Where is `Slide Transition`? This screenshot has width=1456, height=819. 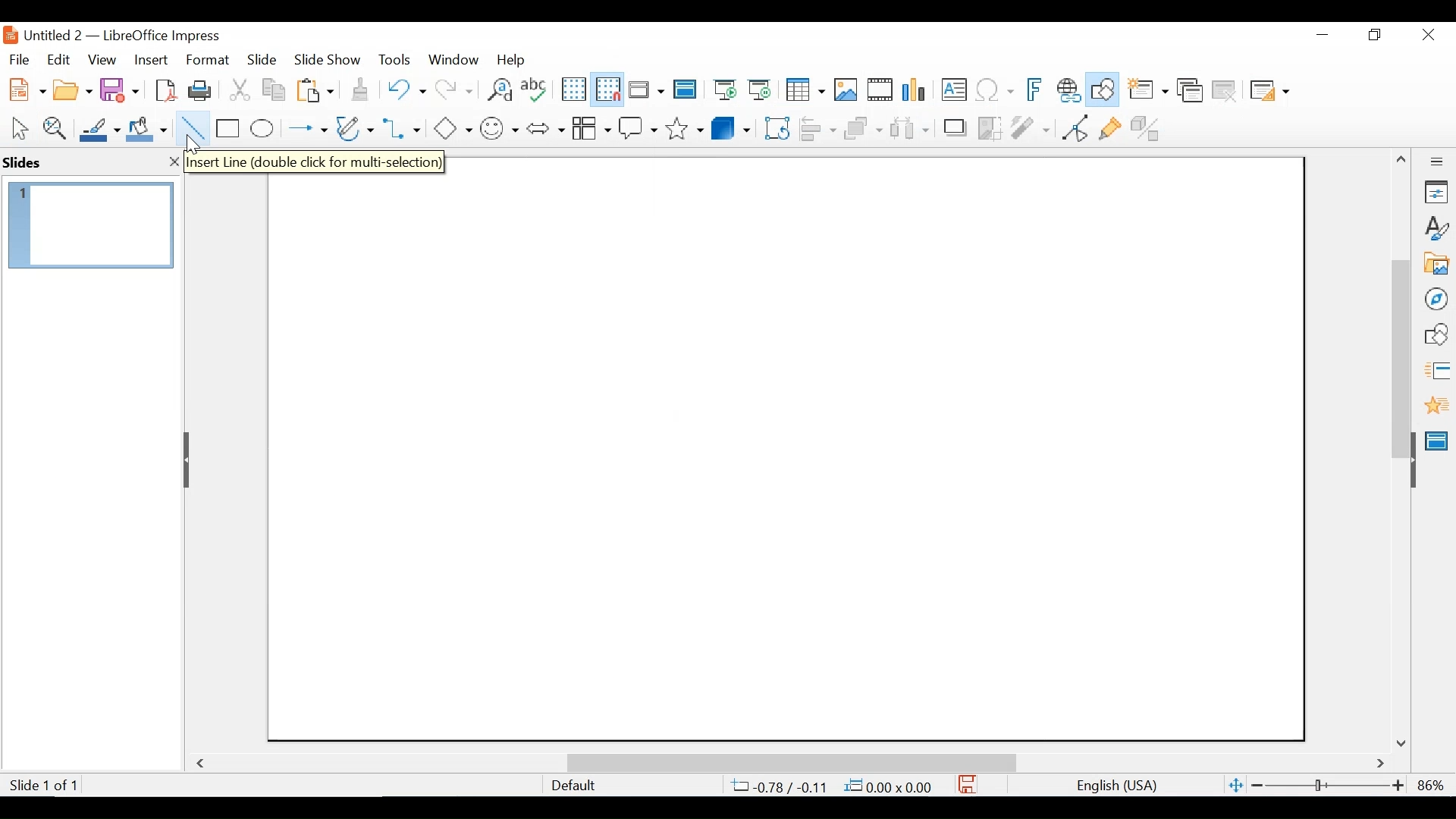
Slide Transition is located at coordinates (1436, 372).